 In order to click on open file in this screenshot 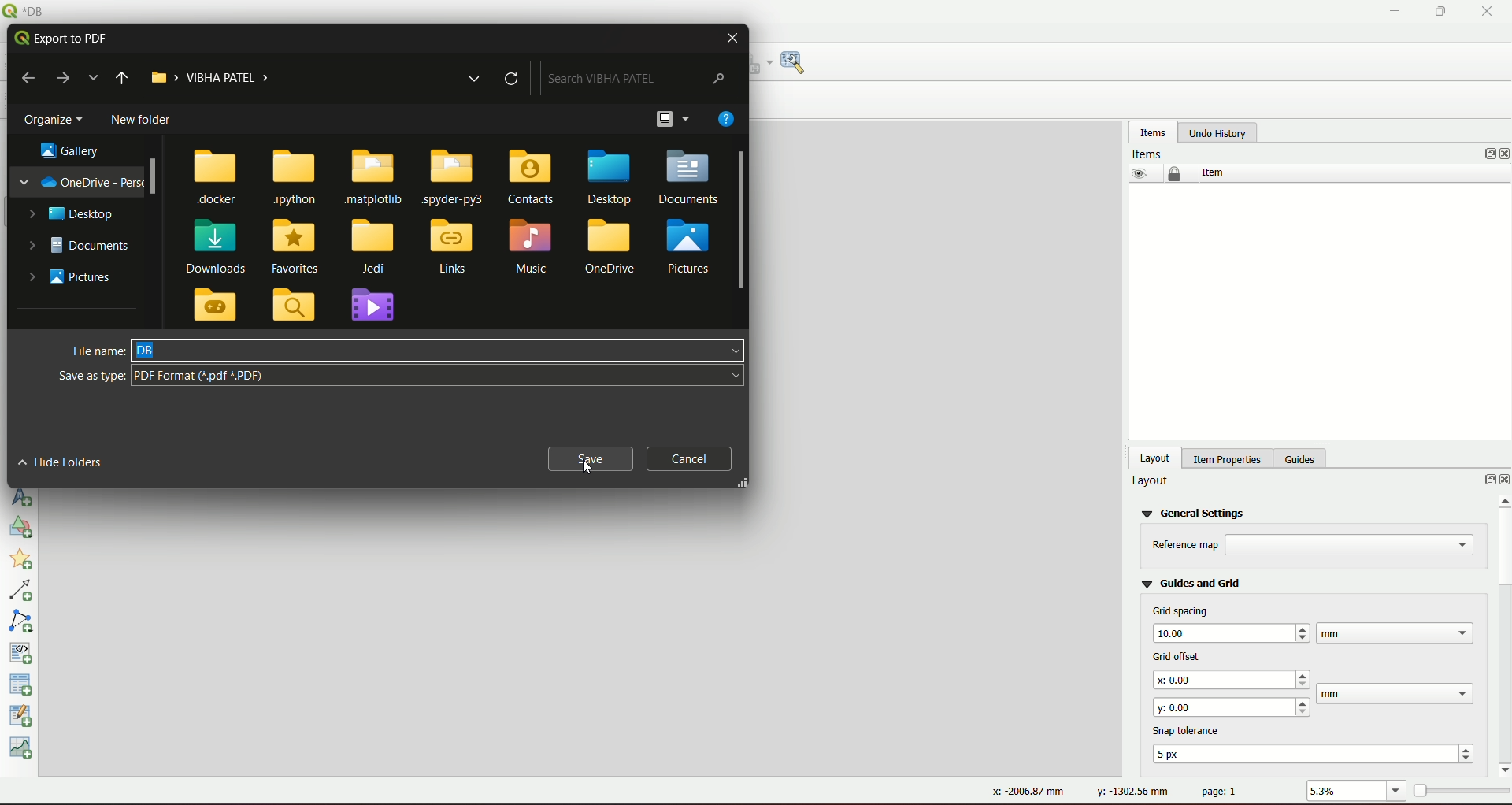, I will do `click(667, 120)`.